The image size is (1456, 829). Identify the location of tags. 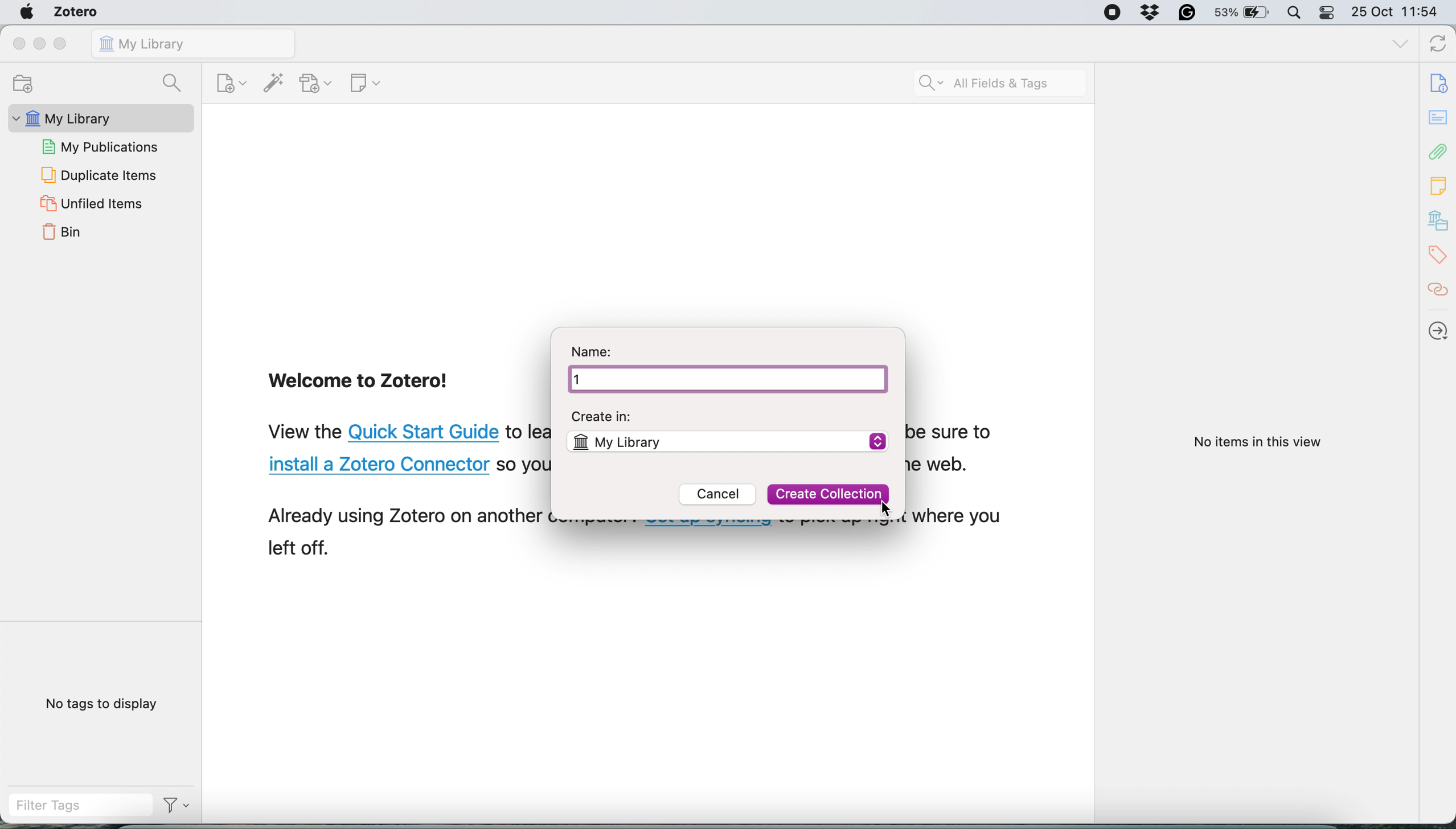
(1439, 256).